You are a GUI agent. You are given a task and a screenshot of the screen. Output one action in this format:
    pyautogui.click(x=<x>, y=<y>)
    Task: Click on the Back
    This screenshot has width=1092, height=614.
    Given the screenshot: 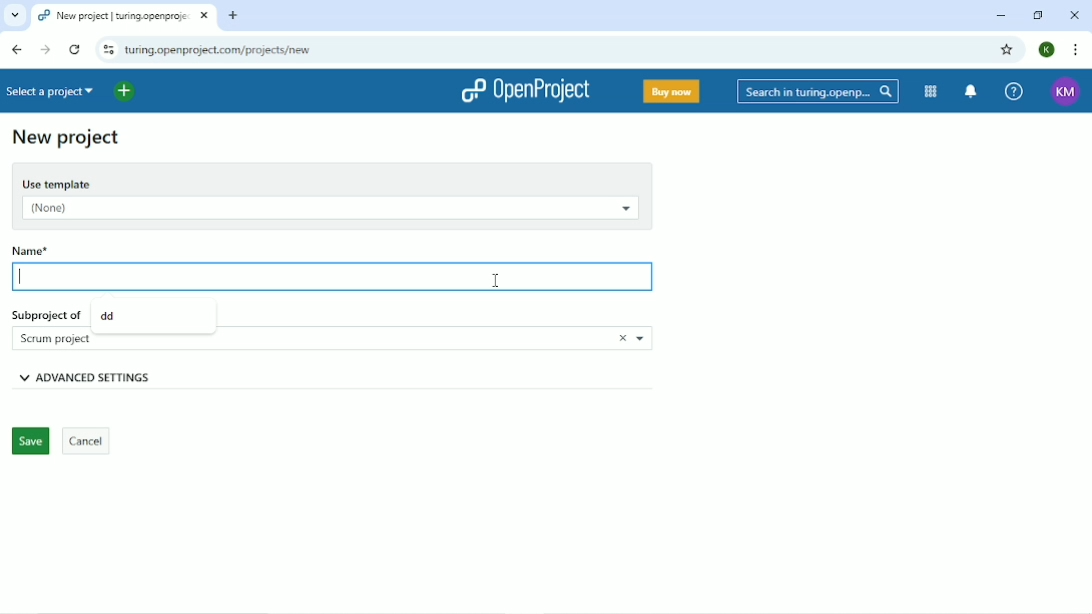 What is the action you would take?
    pyautogui.click(x=17, y=49)
    